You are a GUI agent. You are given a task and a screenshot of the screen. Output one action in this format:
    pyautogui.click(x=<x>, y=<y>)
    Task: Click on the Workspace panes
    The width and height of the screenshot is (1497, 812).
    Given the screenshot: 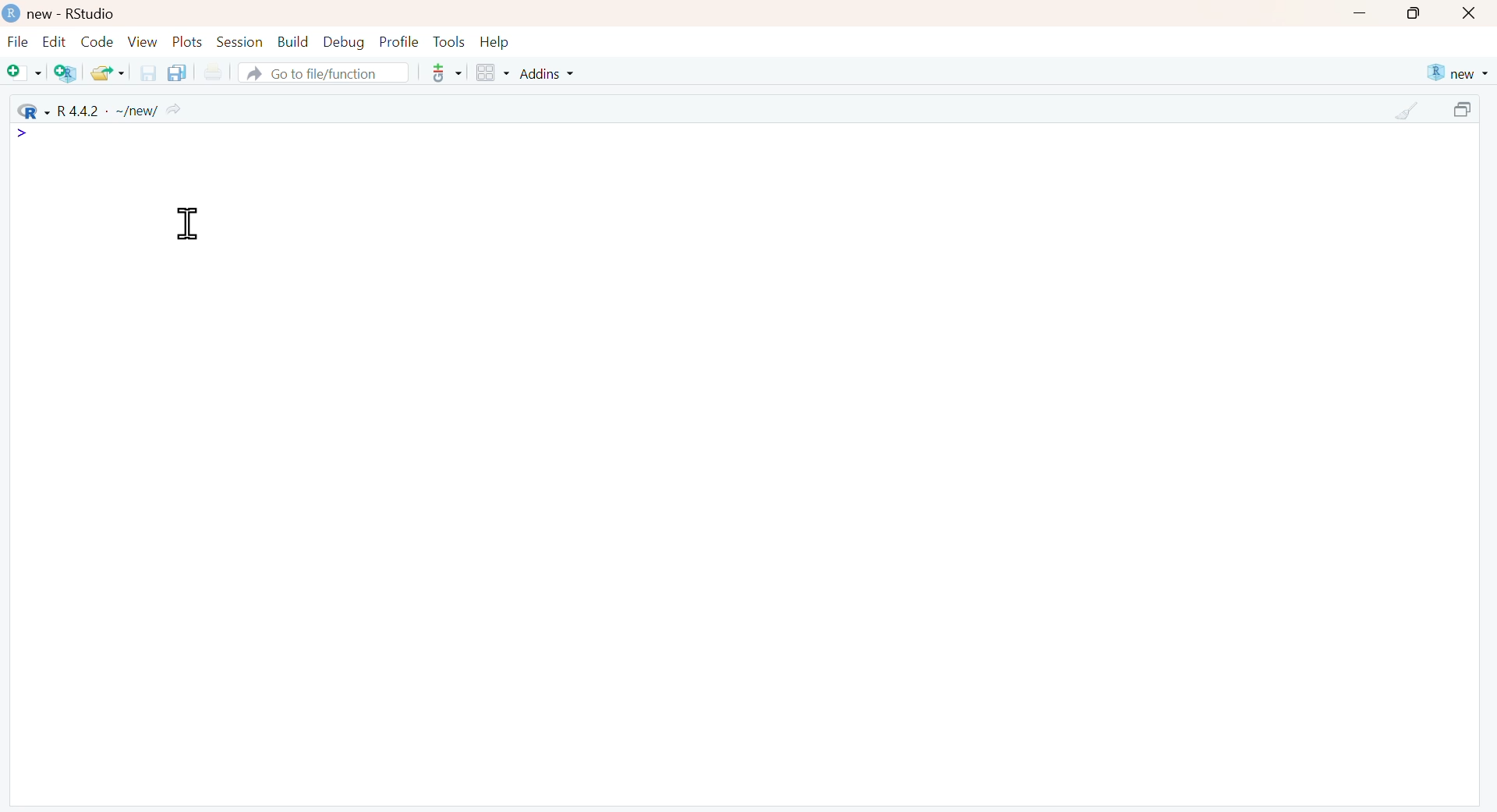 What is the action you would take?
    pyautogui.click(x=491, y=73)
    